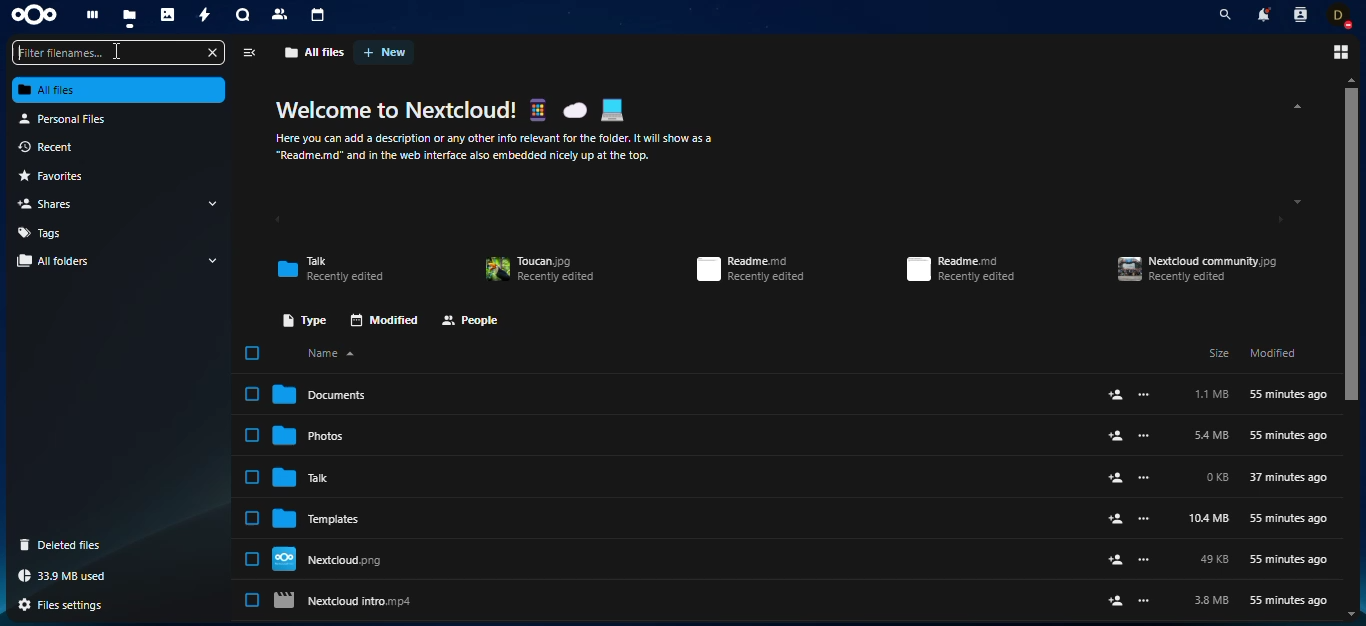 This screenshot has height=626, width=1366. Describe the element at coordinates (463, 156) in the screenshot. I see `“Readme.md” and in the web interface also embedded nicely up at the top.` at that location.